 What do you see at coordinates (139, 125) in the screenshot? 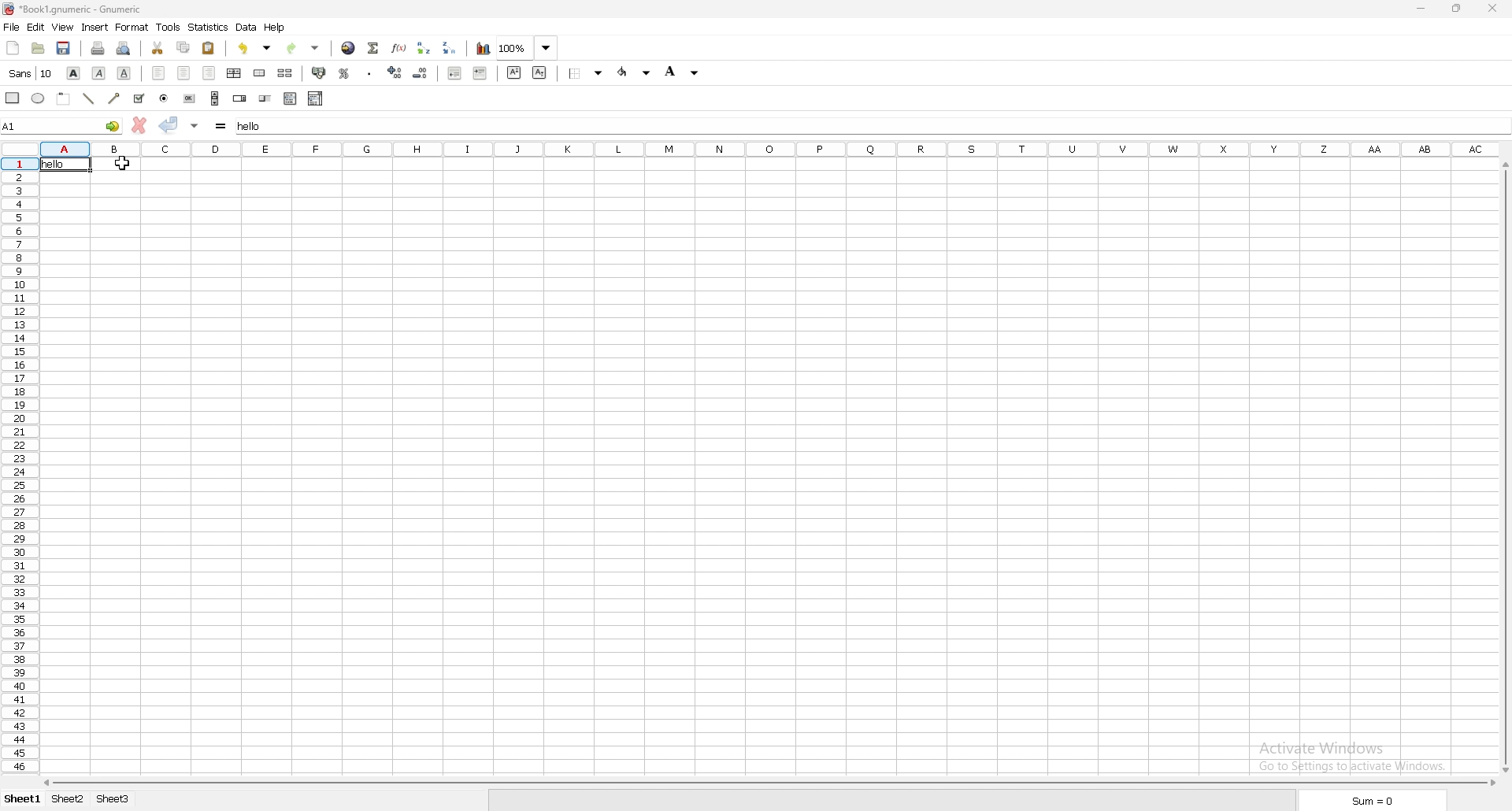
I see `cancel change` at bounding box center [139, 125].